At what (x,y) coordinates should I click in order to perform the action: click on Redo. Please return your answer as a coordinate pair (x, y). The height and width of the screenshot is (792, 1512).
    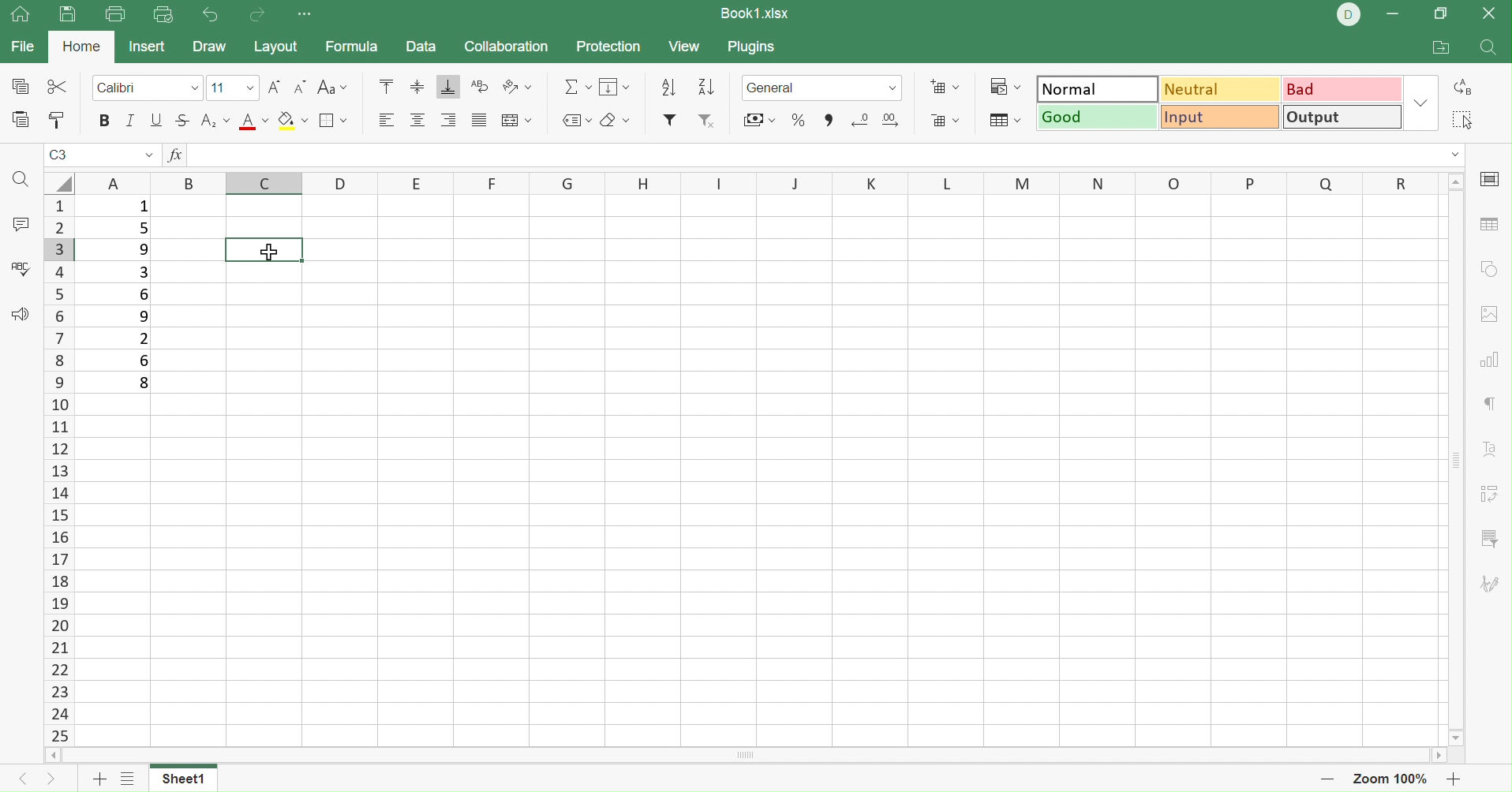
    Looking at the image, I should click on (259, 15).